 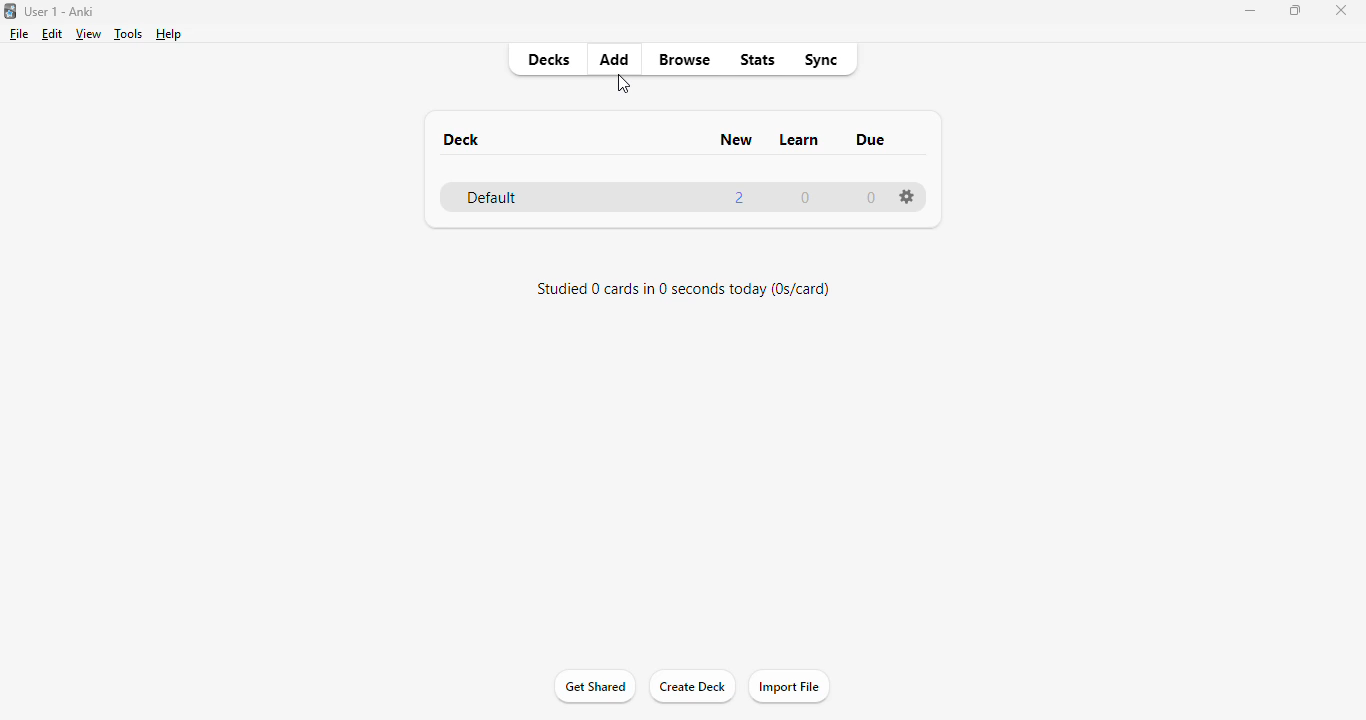 I want to click on studied 0 card in 0 seconds today (0s/card), so click(x=685, y=290).